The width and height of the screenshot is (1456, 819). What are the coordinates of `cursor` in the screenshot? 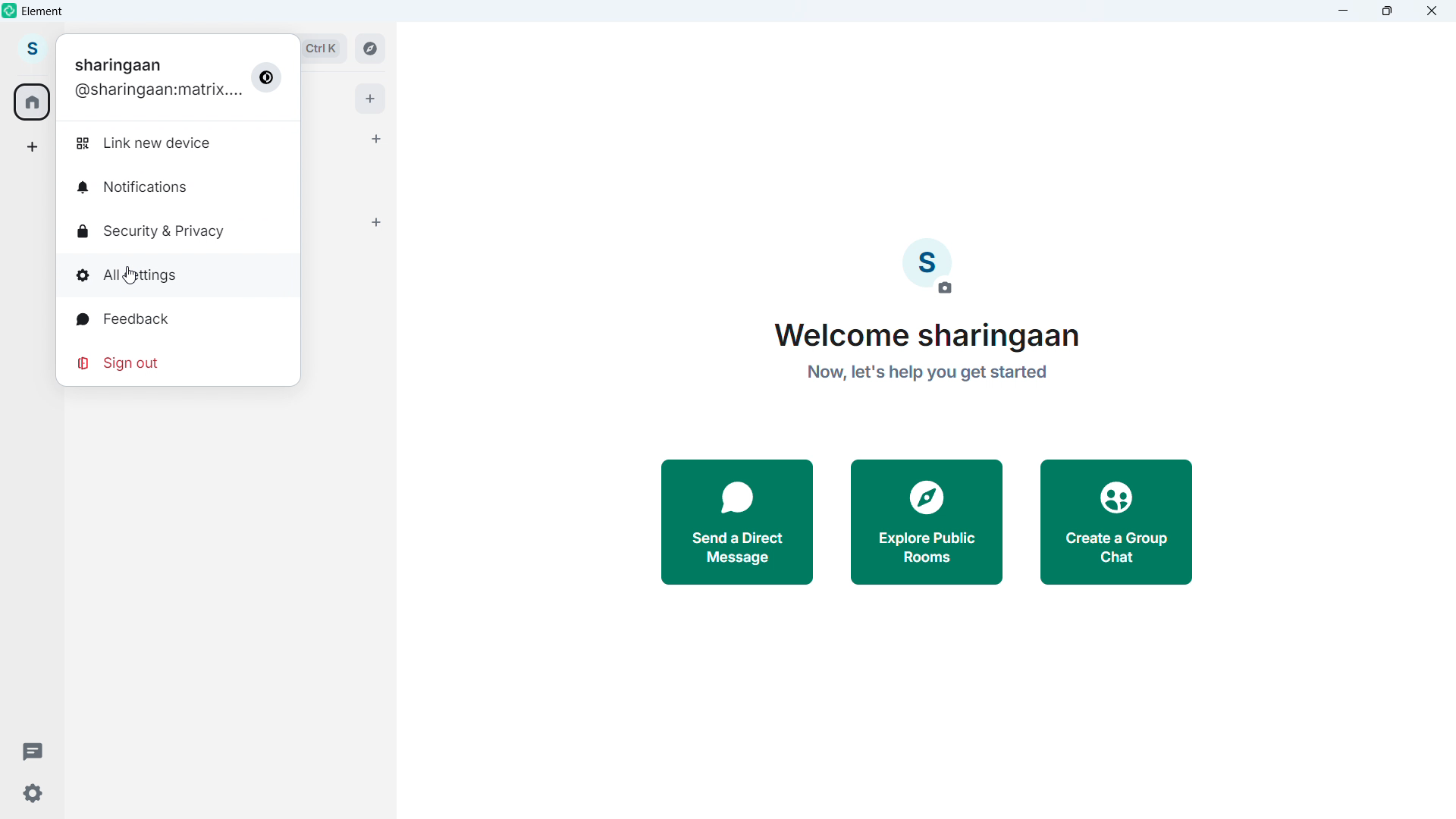 It's located at (130, 275).